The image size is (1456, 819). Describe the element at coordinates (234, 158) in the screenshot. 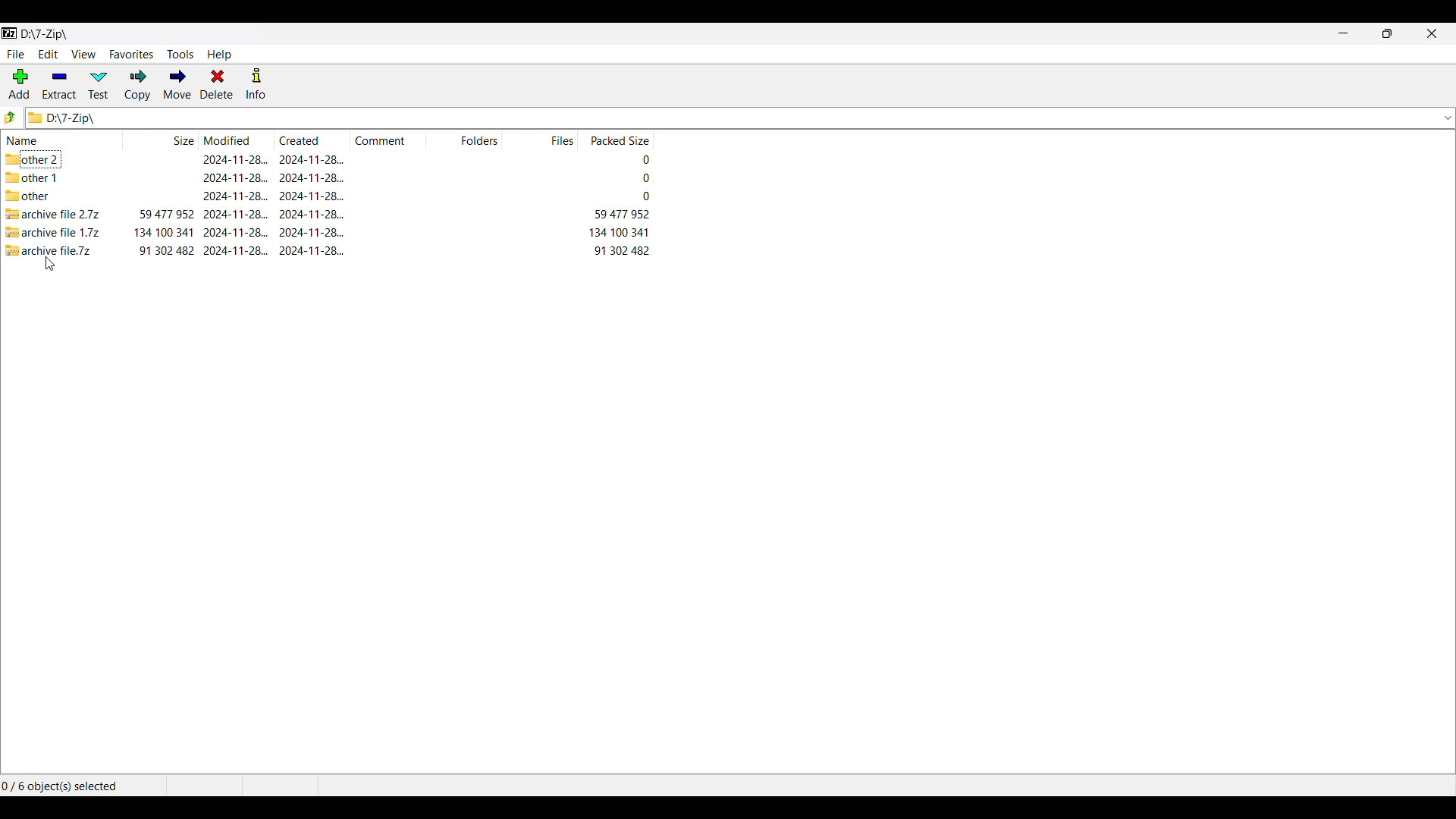

I see `modified date & time` at that location.